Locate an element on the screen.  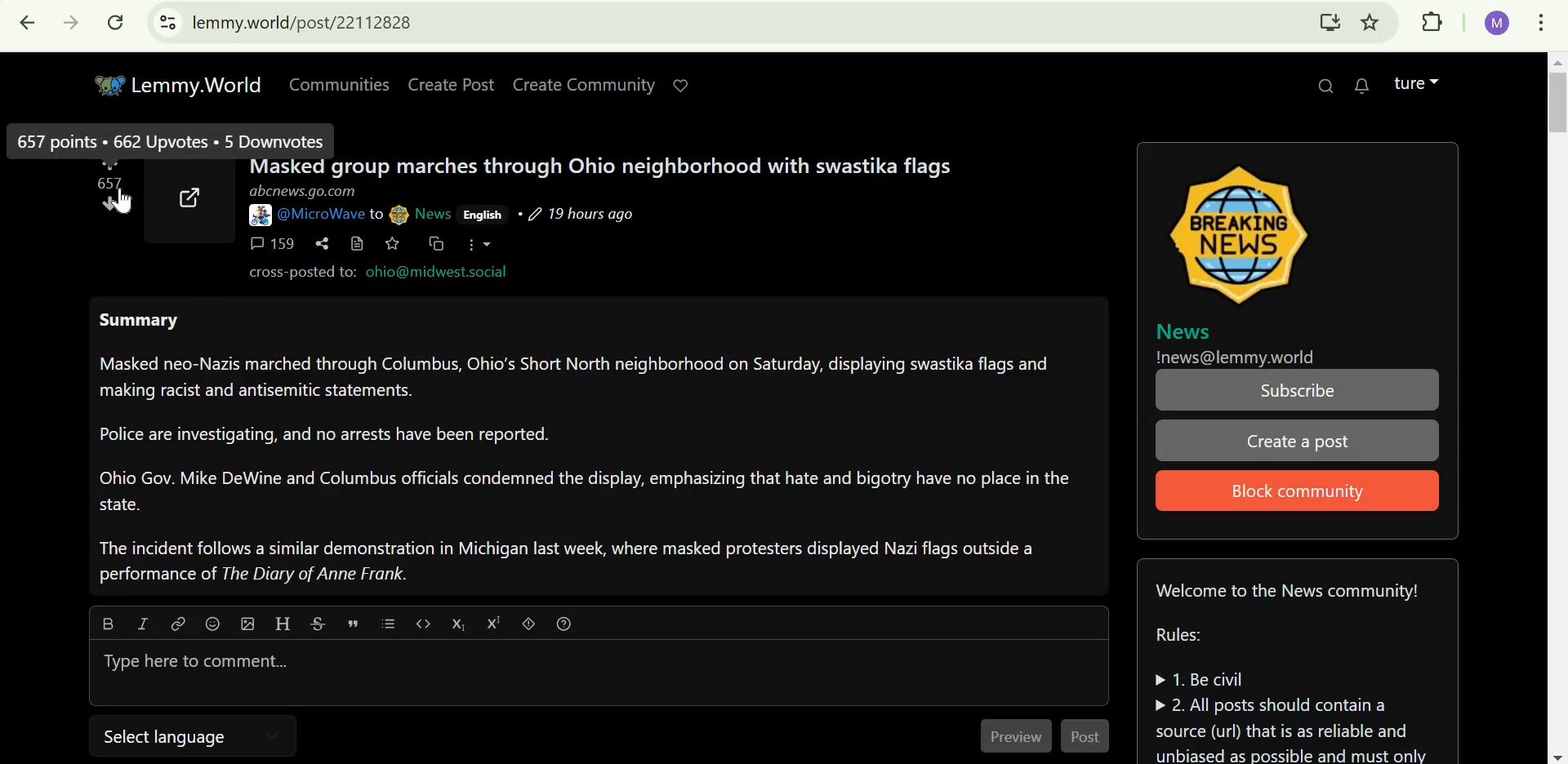
quote is located at coordinates (354, 622).